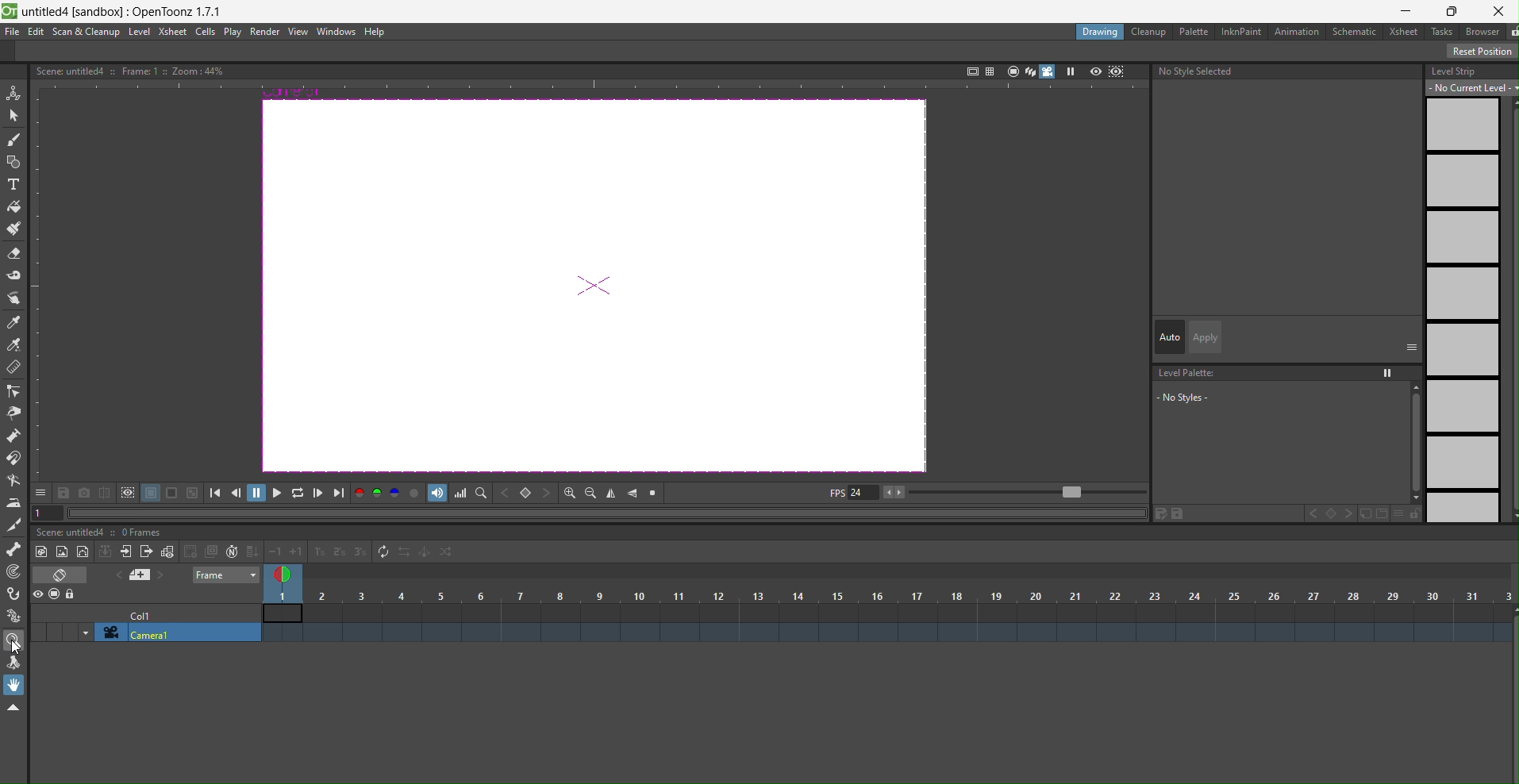  Describe the element at coordinates (62, 551) in the screenshot. I see `new  toonz vector level` at that location.